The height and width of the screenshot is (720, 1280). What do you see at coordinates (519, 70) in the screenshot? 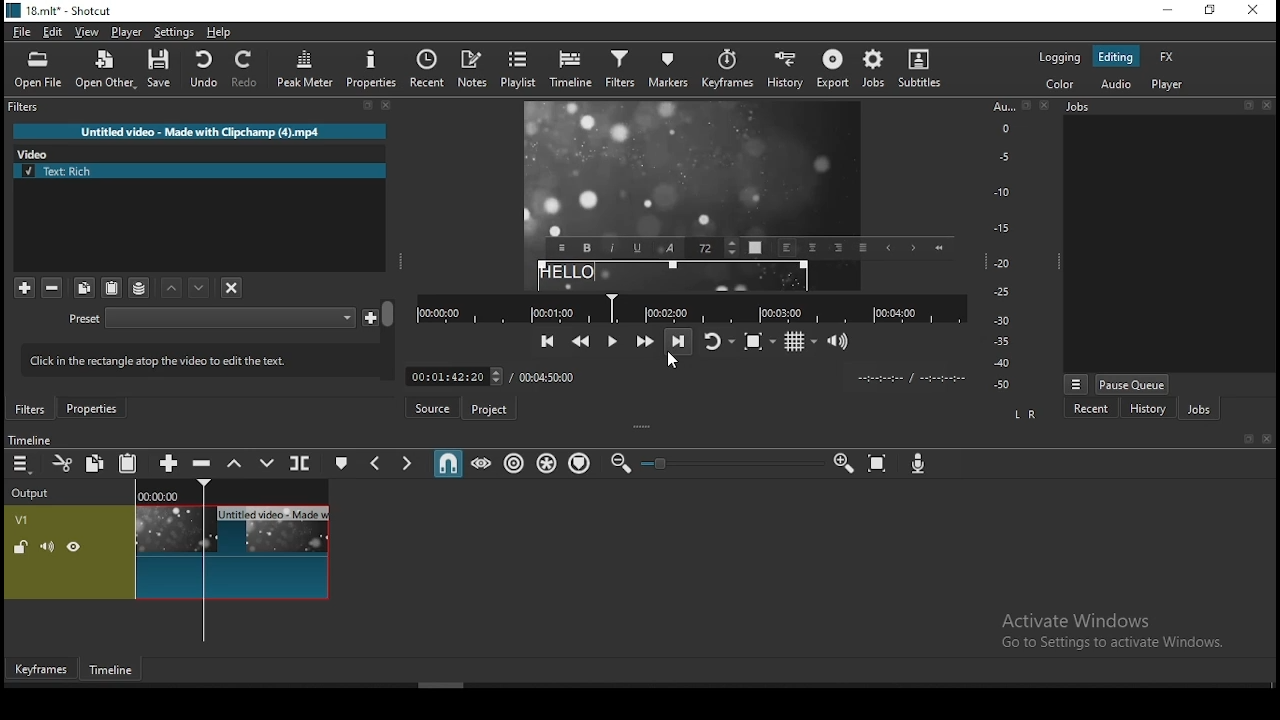
I see `playlist` at bounding box center [519, 70].